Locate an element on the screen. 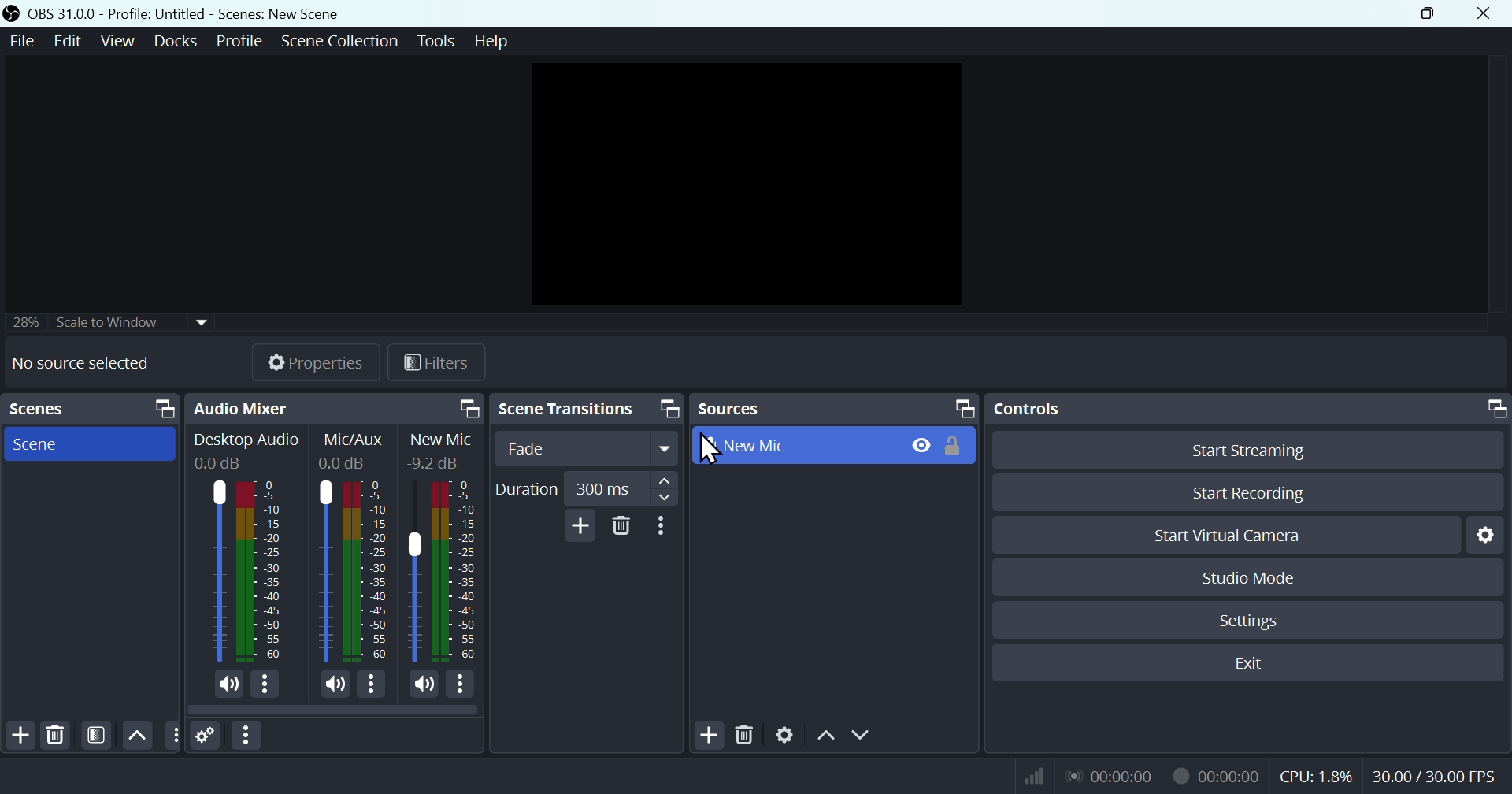 This screenshot has height=794, width=1512. (un)mute is located at coordinates (425, 686).